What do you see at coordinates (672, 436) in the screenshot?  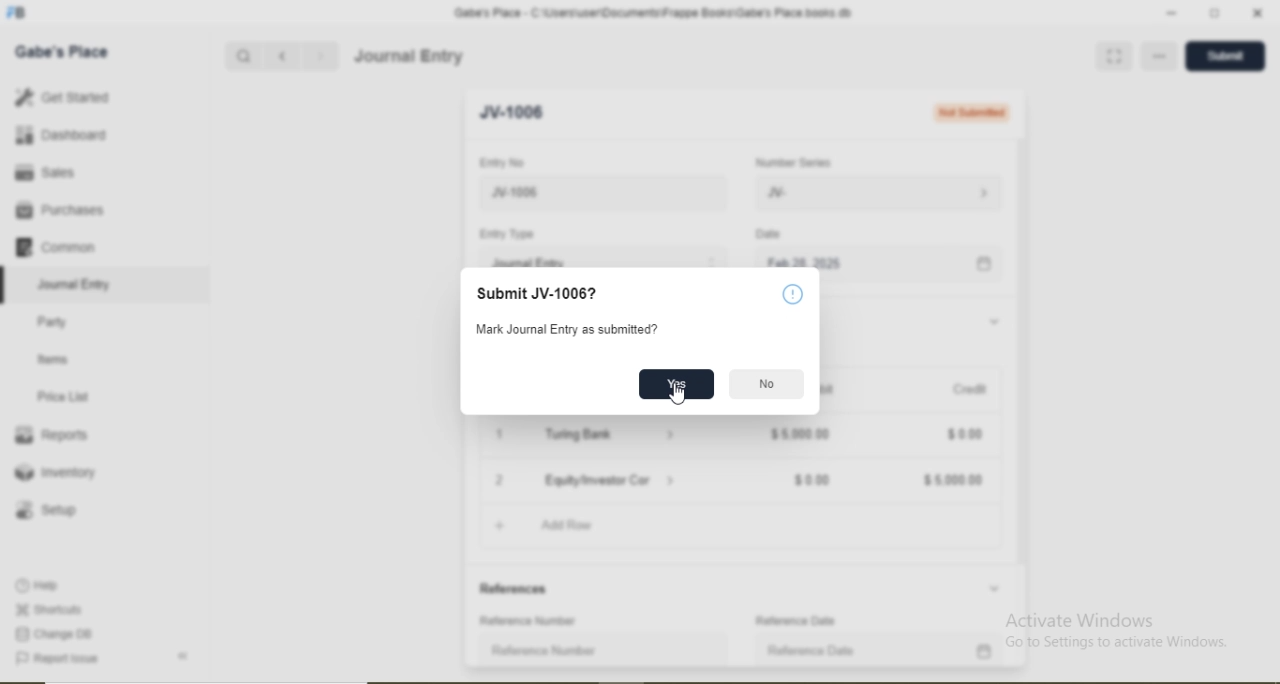 I see `Dropdown` at bounding box center [672, 436].